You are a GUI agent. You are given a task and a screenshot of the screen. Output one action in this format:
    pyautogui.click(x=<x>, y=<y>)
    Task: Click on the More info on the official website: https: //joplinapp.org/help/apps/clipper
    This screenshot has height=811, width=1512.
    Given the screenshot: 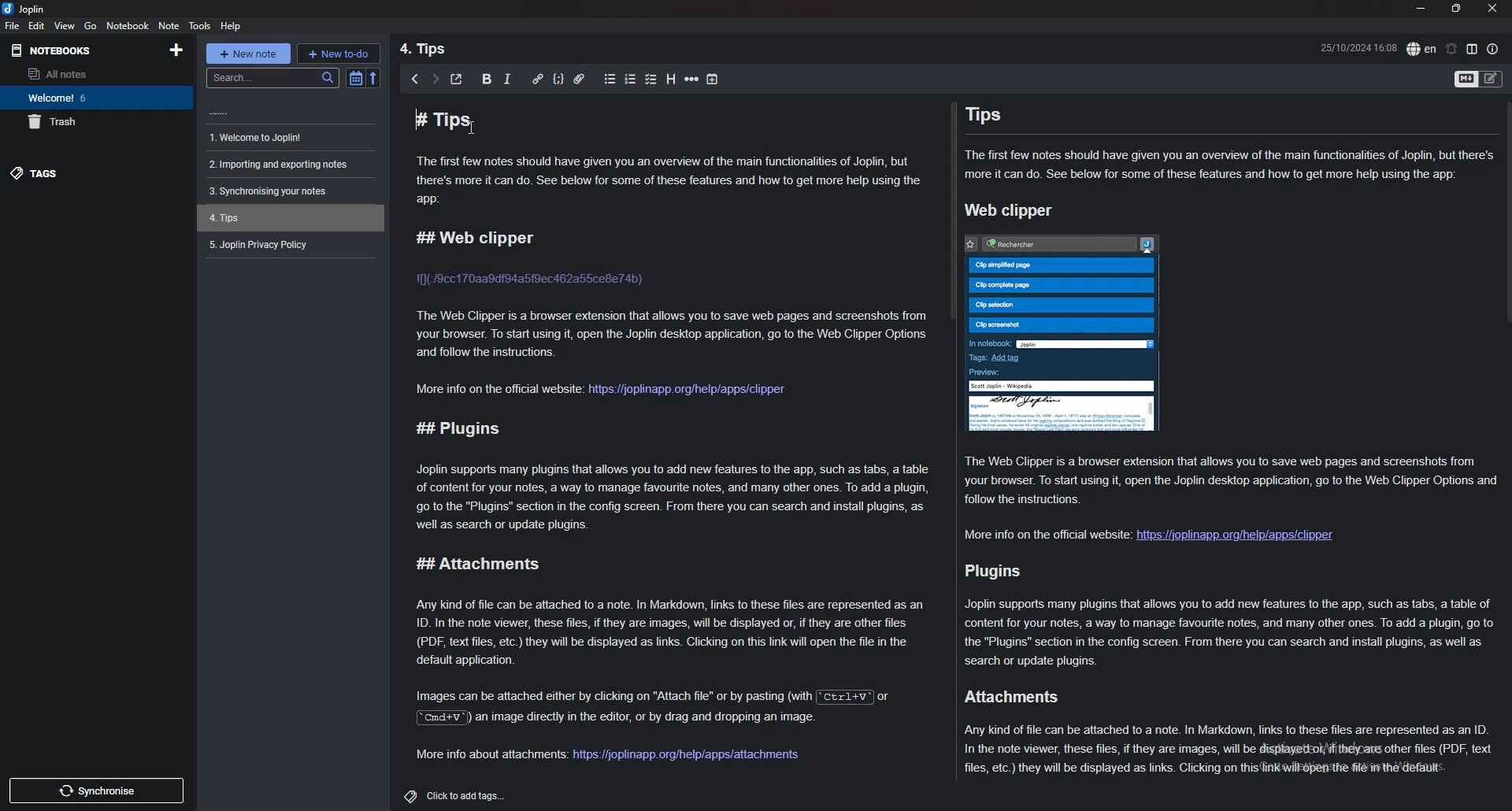 What is the action you would take?
    pyautogui.click(x=606, y=391)
    